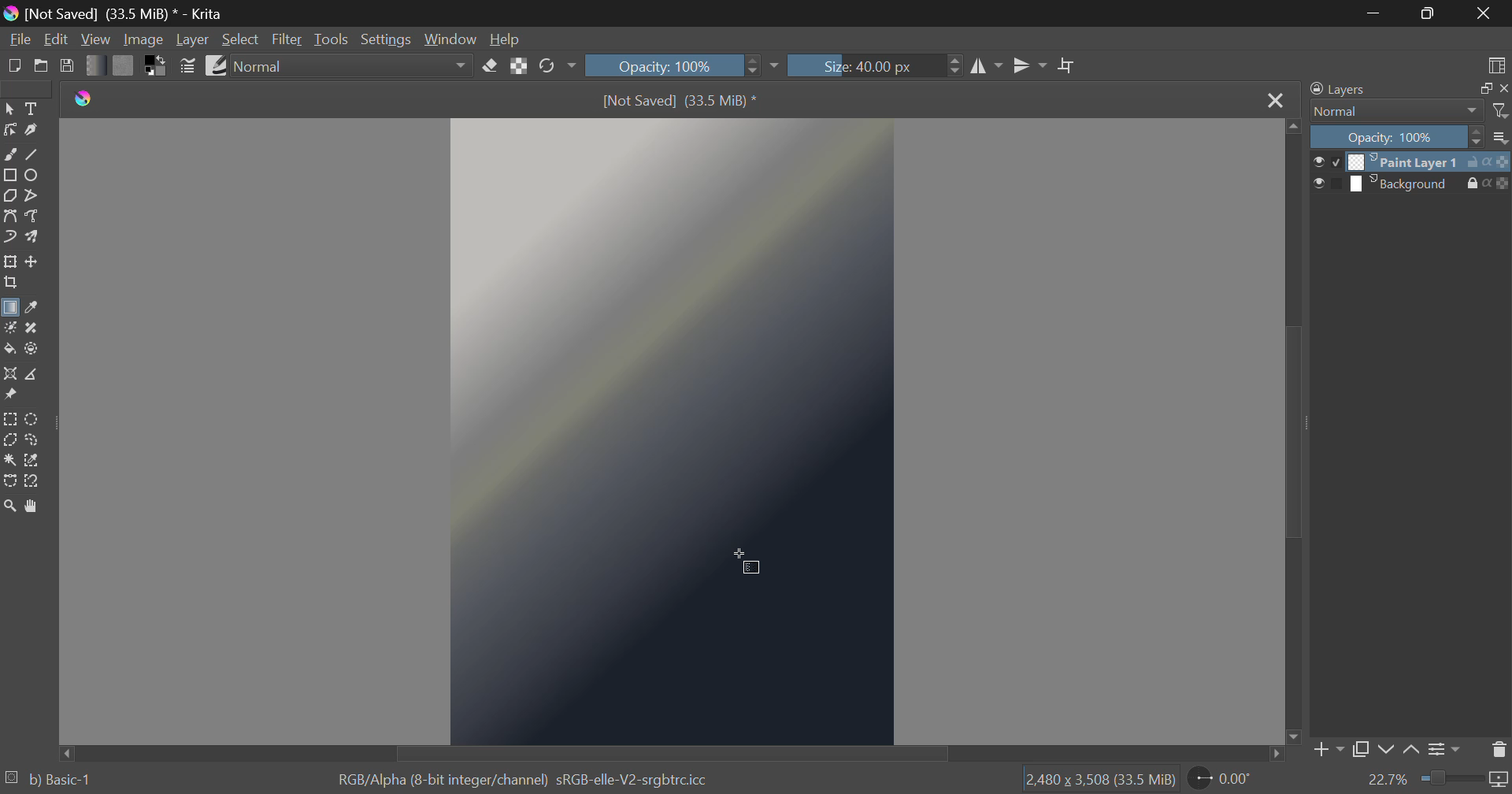 The image size is (1512, 794). Describe the element at coordinates (240, 39) in the screenshot. I see `Select` at that location.